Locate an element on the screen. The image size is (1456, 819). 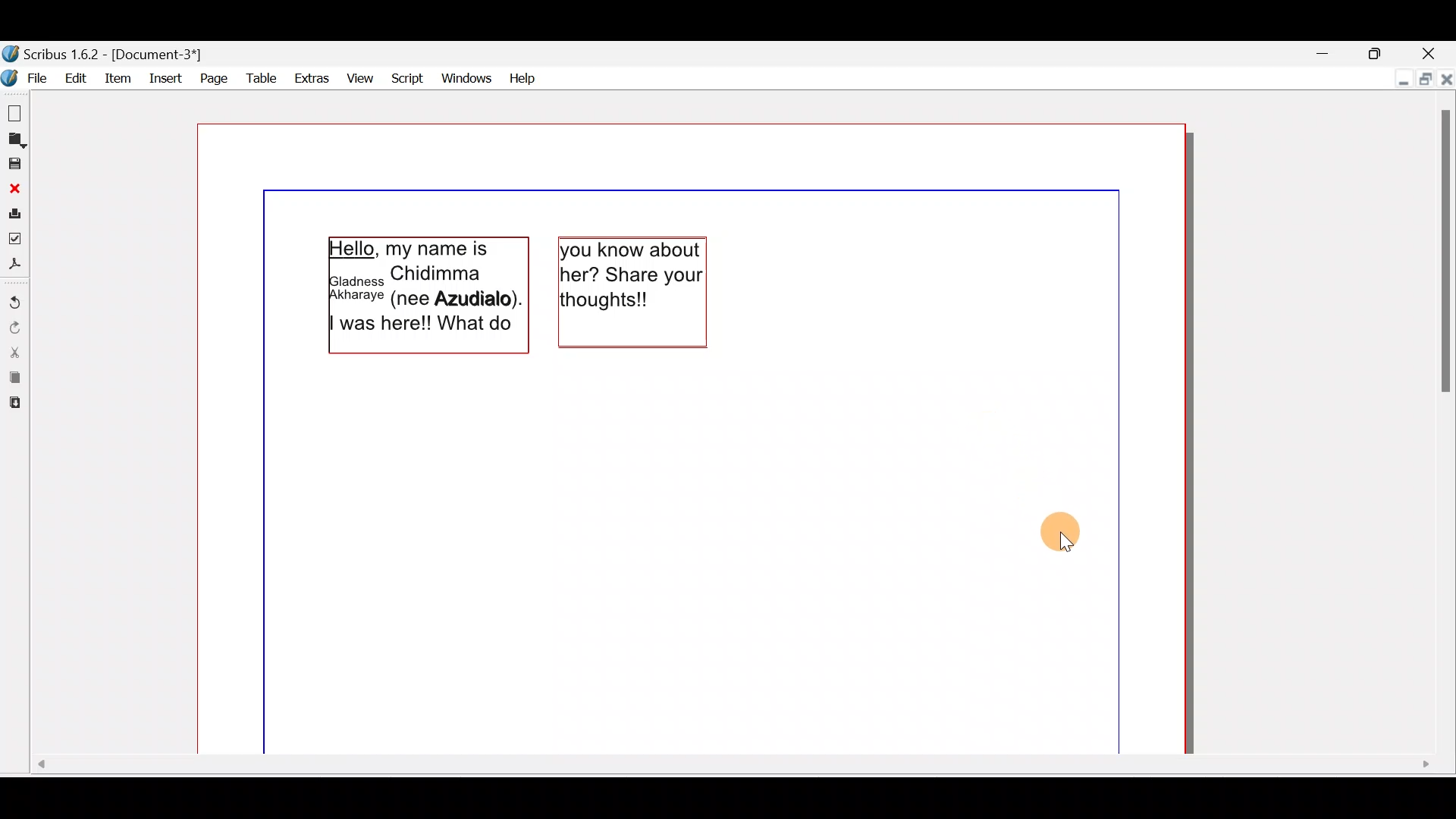
Minimise is located at coordinates (1400, 76).